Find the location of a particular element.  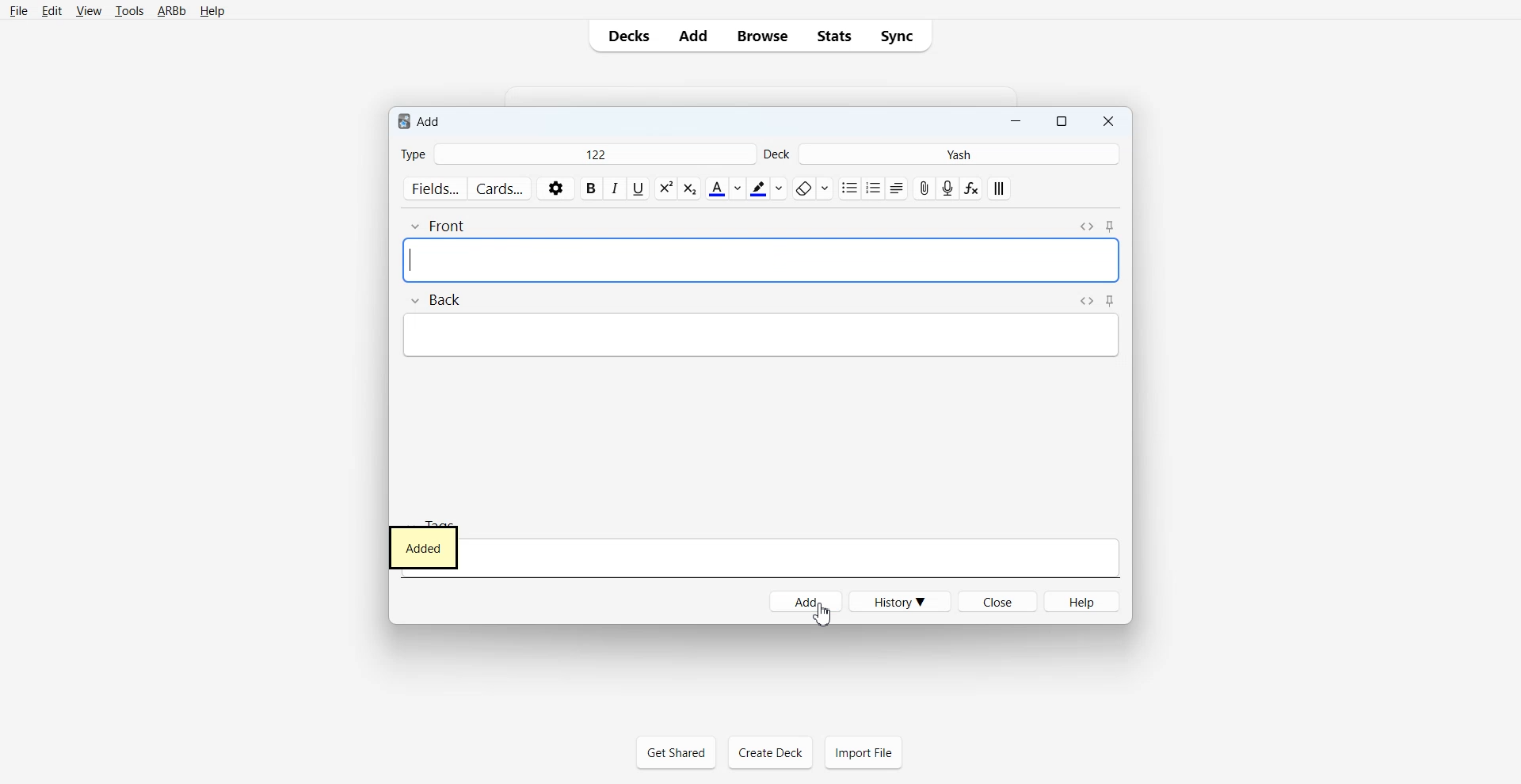

text color is located at coordinates (725, 188).